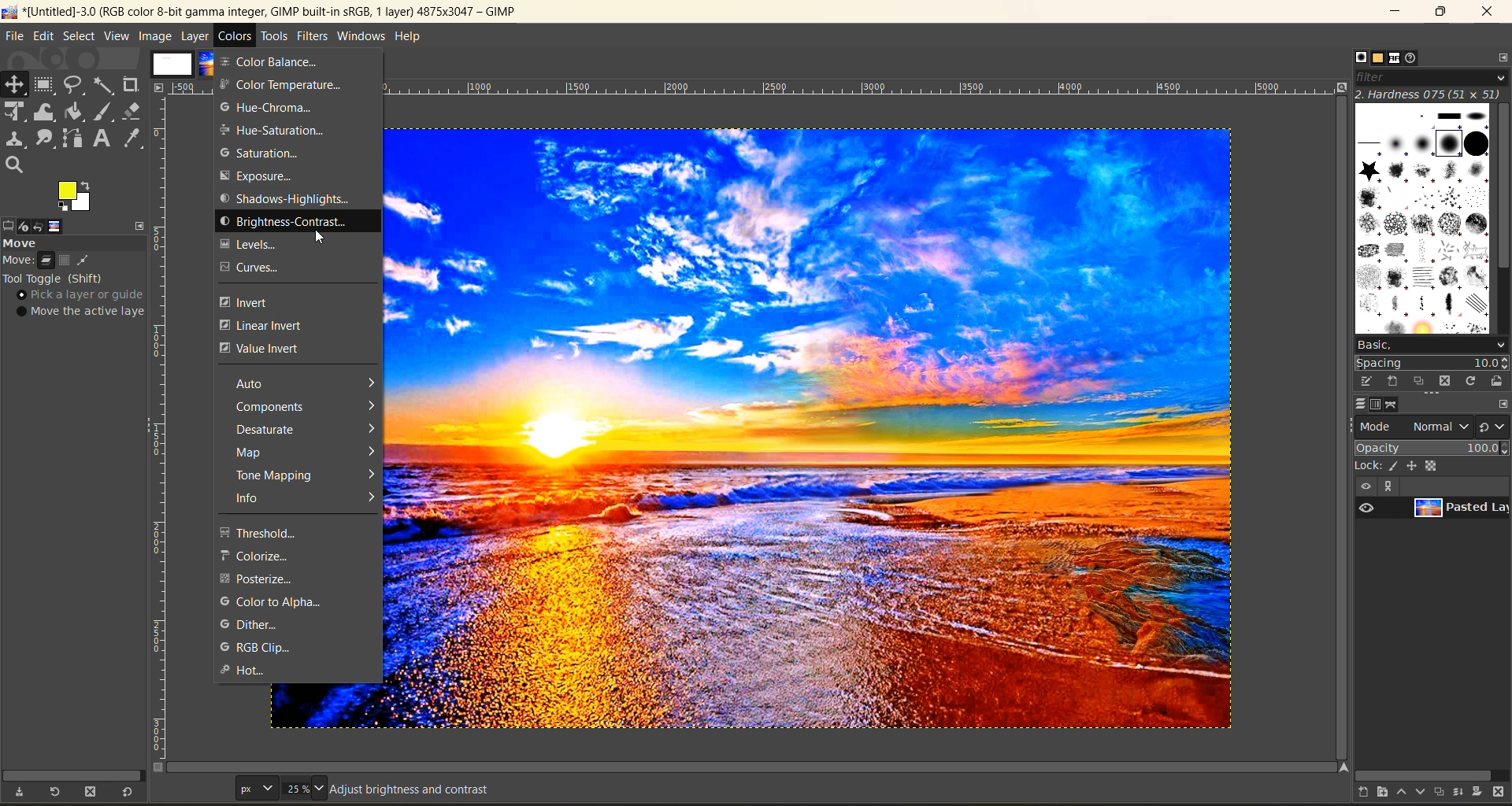 Image resolution: width=1512 pixels, height=806 pixels. What do you see at coordinates (271, 602) in the screenshot?
I see `color to alpha` at bounding box center [271, 602].